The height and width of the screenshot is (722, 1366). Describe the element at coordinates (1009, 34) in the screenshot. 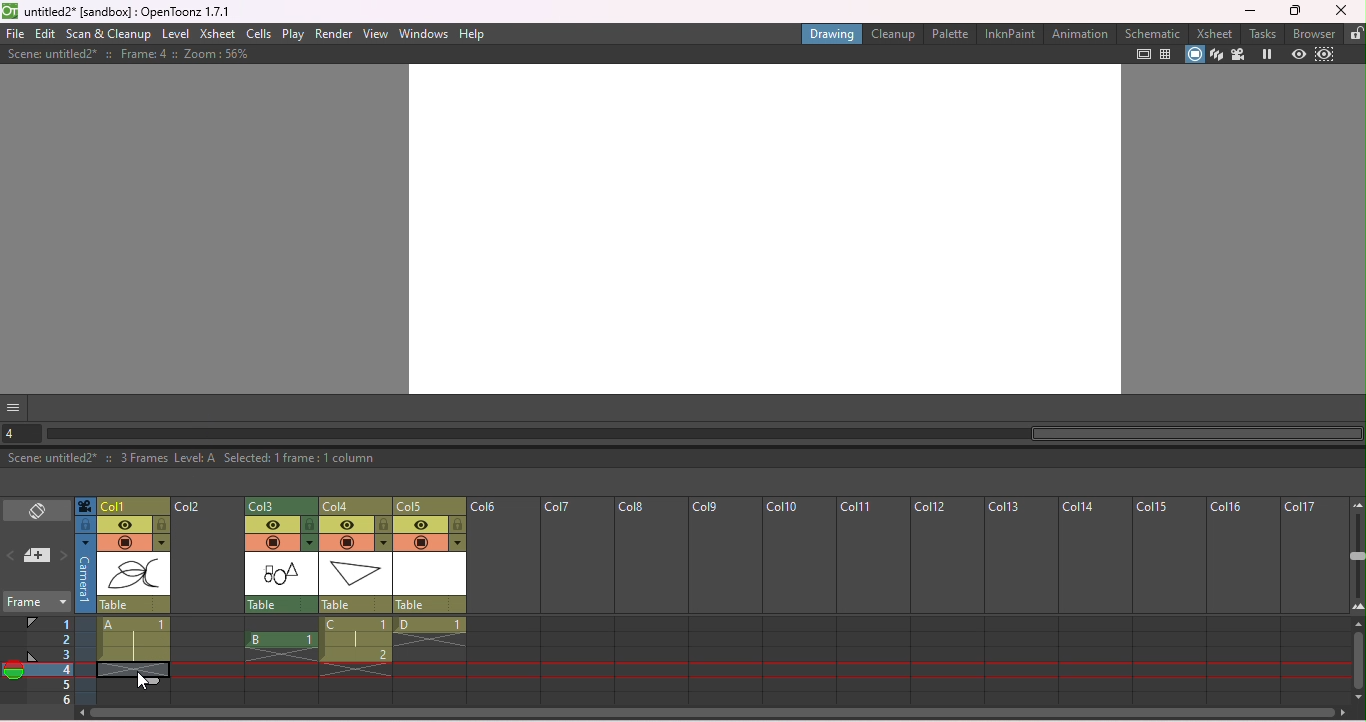

I see `InknPaint` at that location.